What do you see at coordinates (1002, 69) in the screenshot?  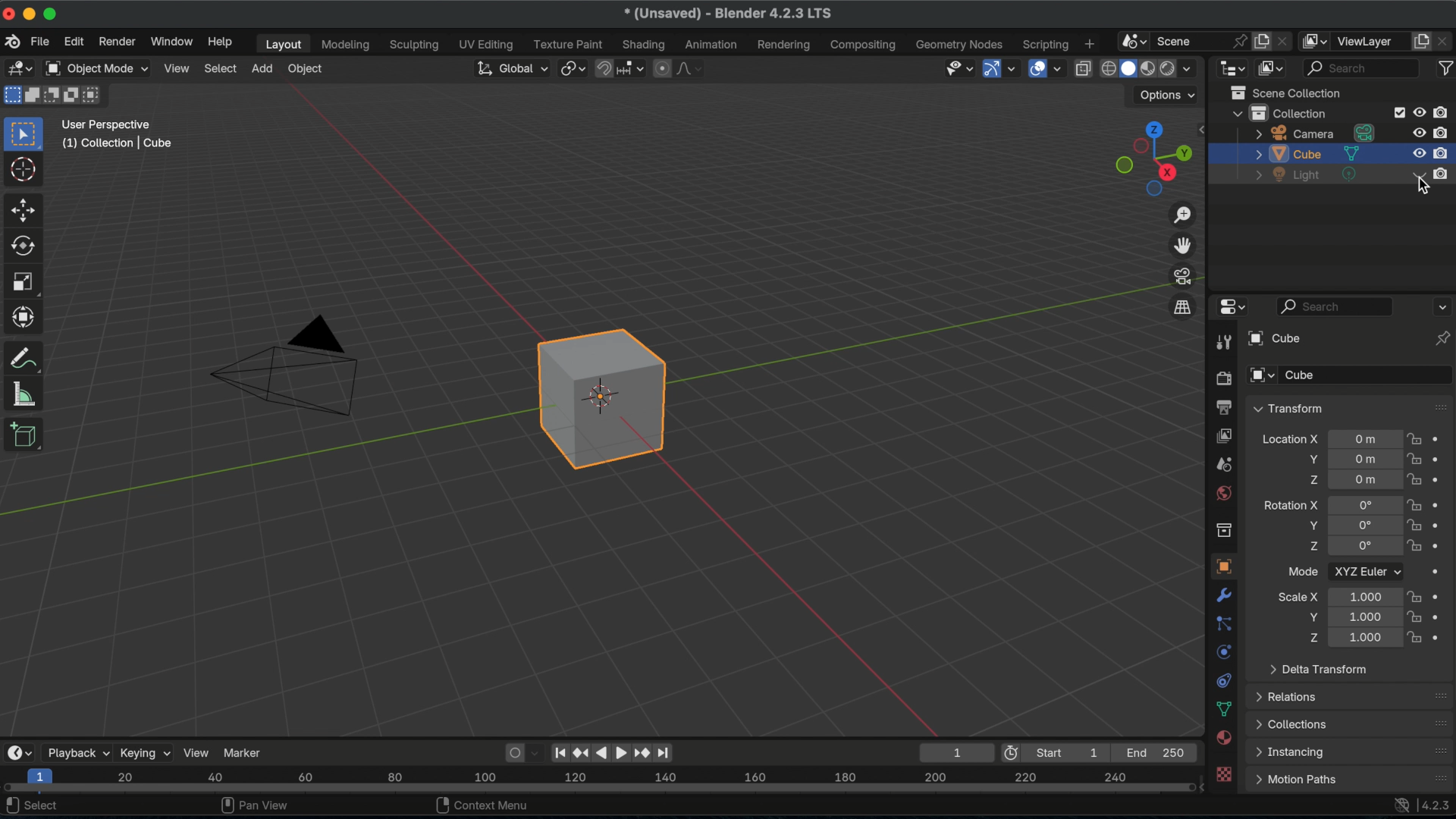 I see `show gizmo dropdown` at bounding box center [1002, 69].